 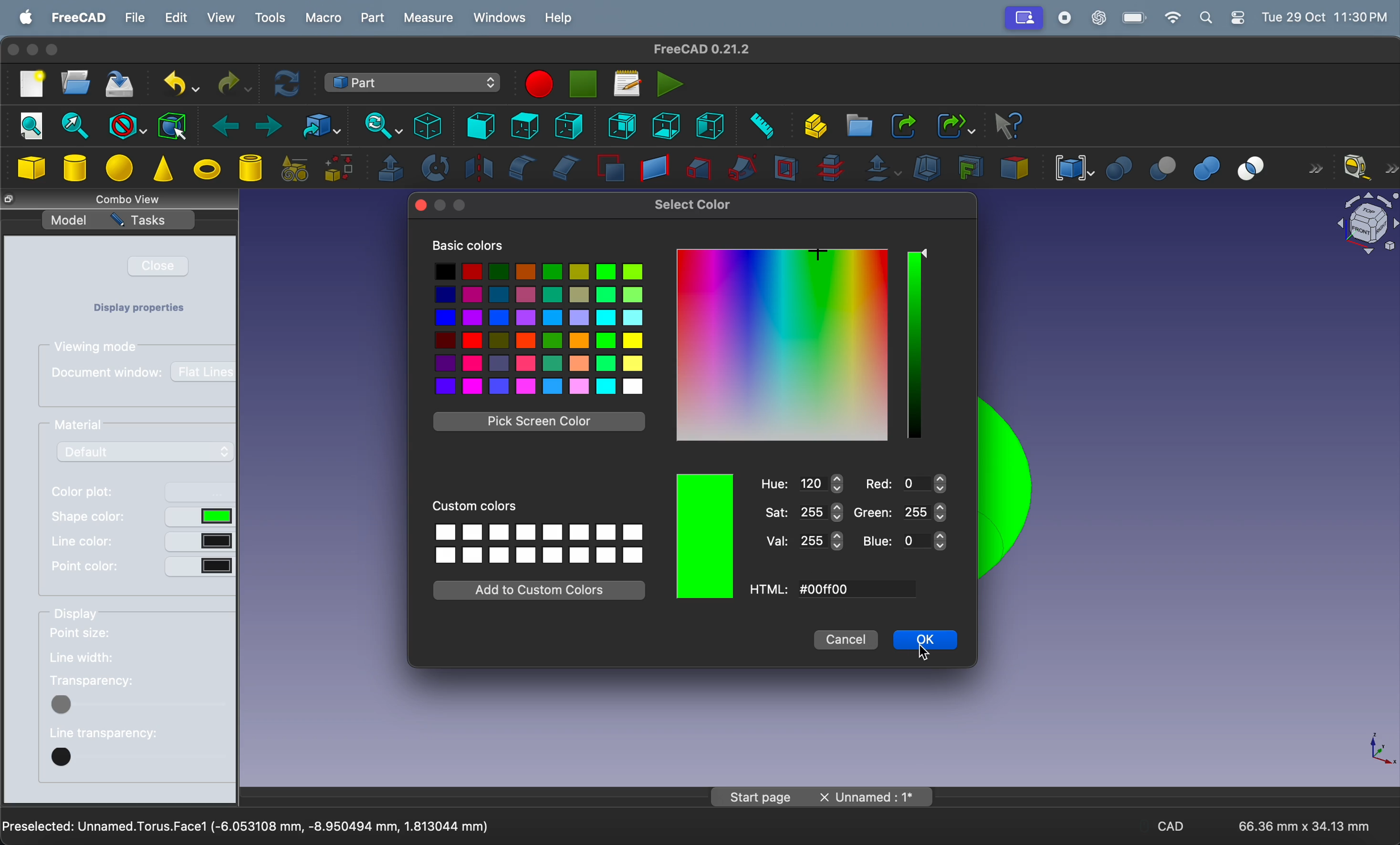 I want to click on Red, so click(x=905, y=484).